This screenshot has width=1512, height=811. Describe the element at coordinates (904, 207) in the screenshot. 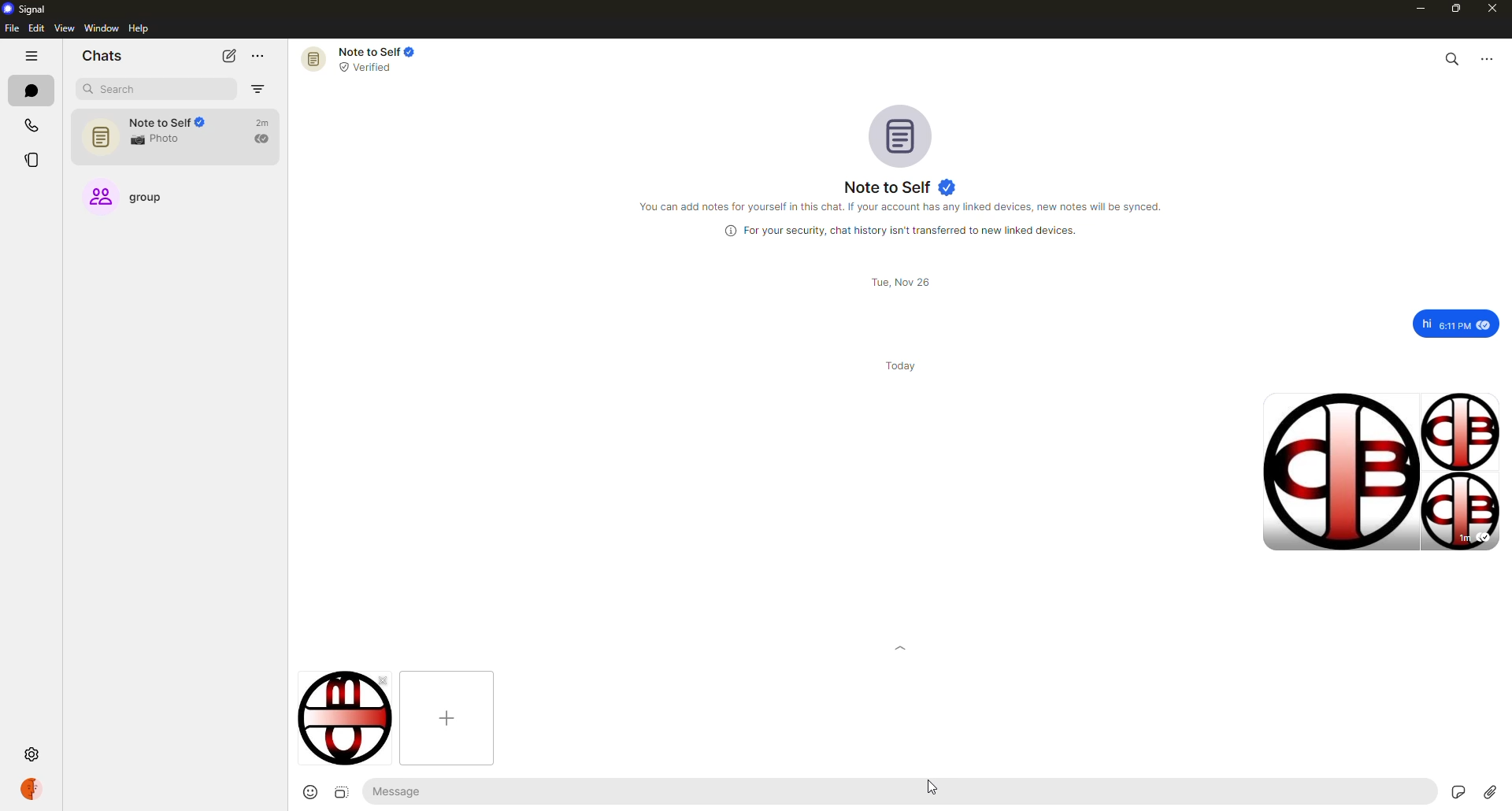

I see `info` at that location.